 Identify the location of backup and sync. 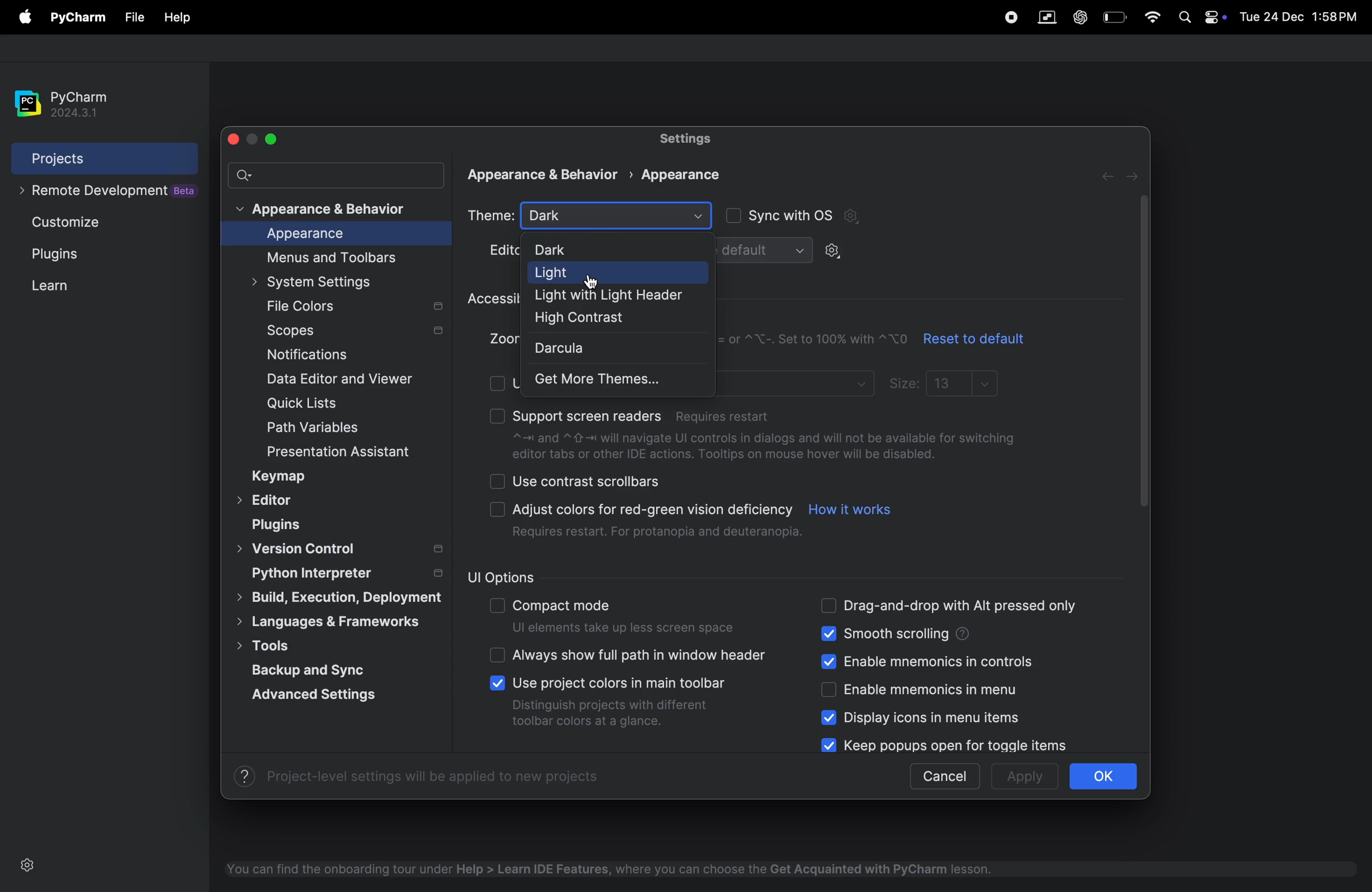
(316, 669).